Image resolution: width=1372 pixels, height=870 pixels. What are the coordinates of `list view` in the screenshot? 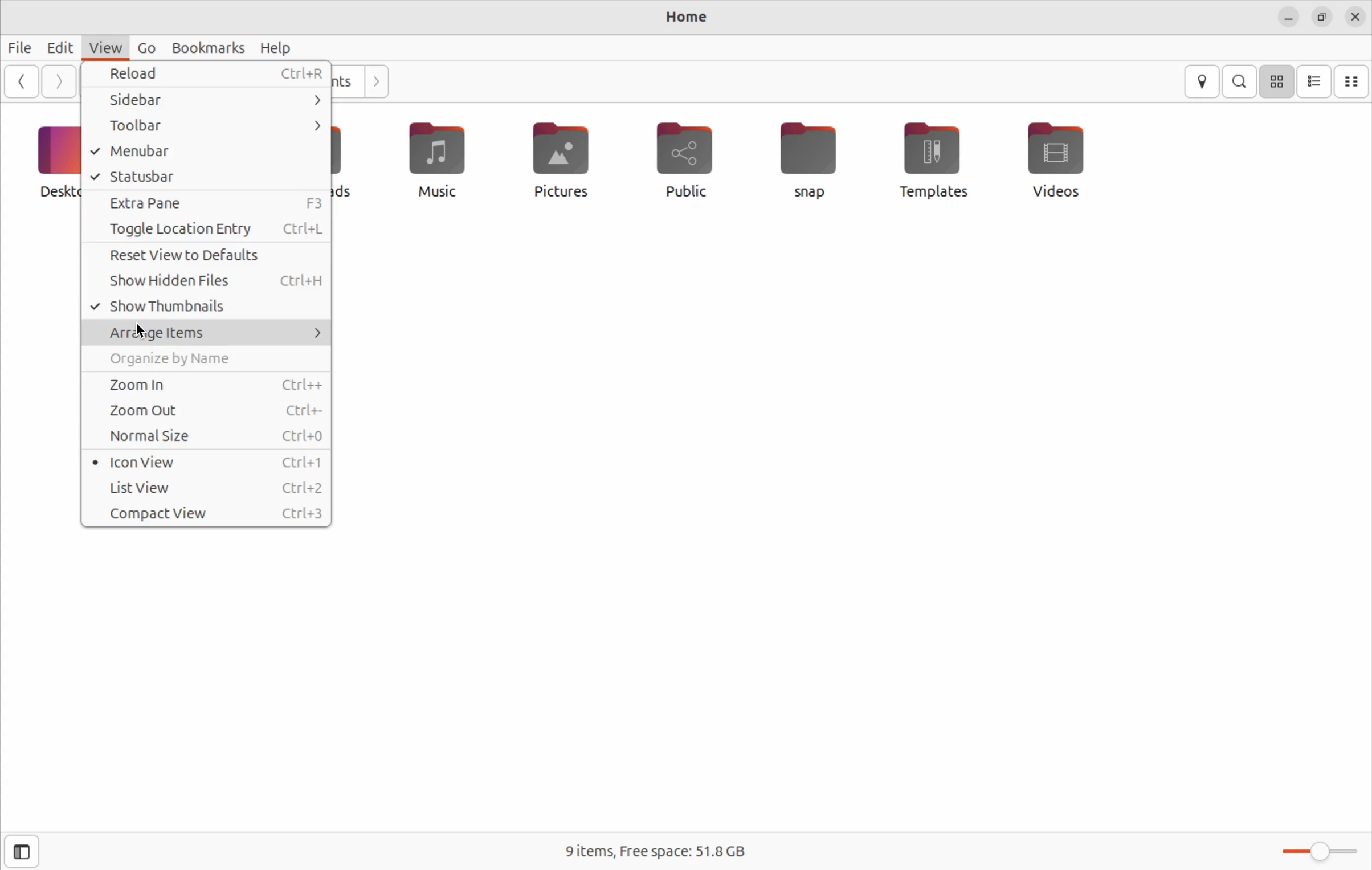 It's located at (209, 489).